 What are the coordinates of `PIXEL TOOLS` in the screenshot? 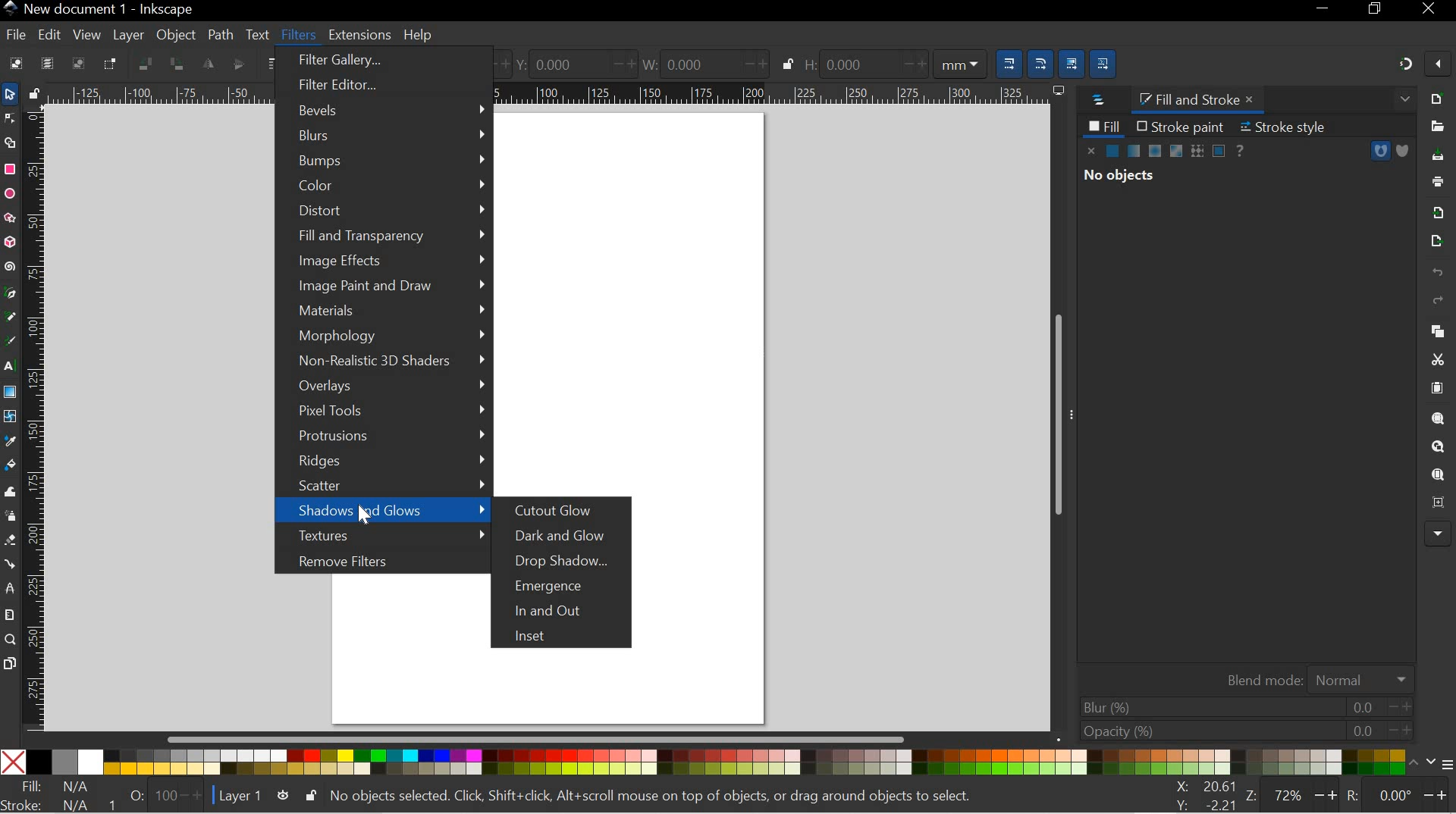 It's located at (381, 412).